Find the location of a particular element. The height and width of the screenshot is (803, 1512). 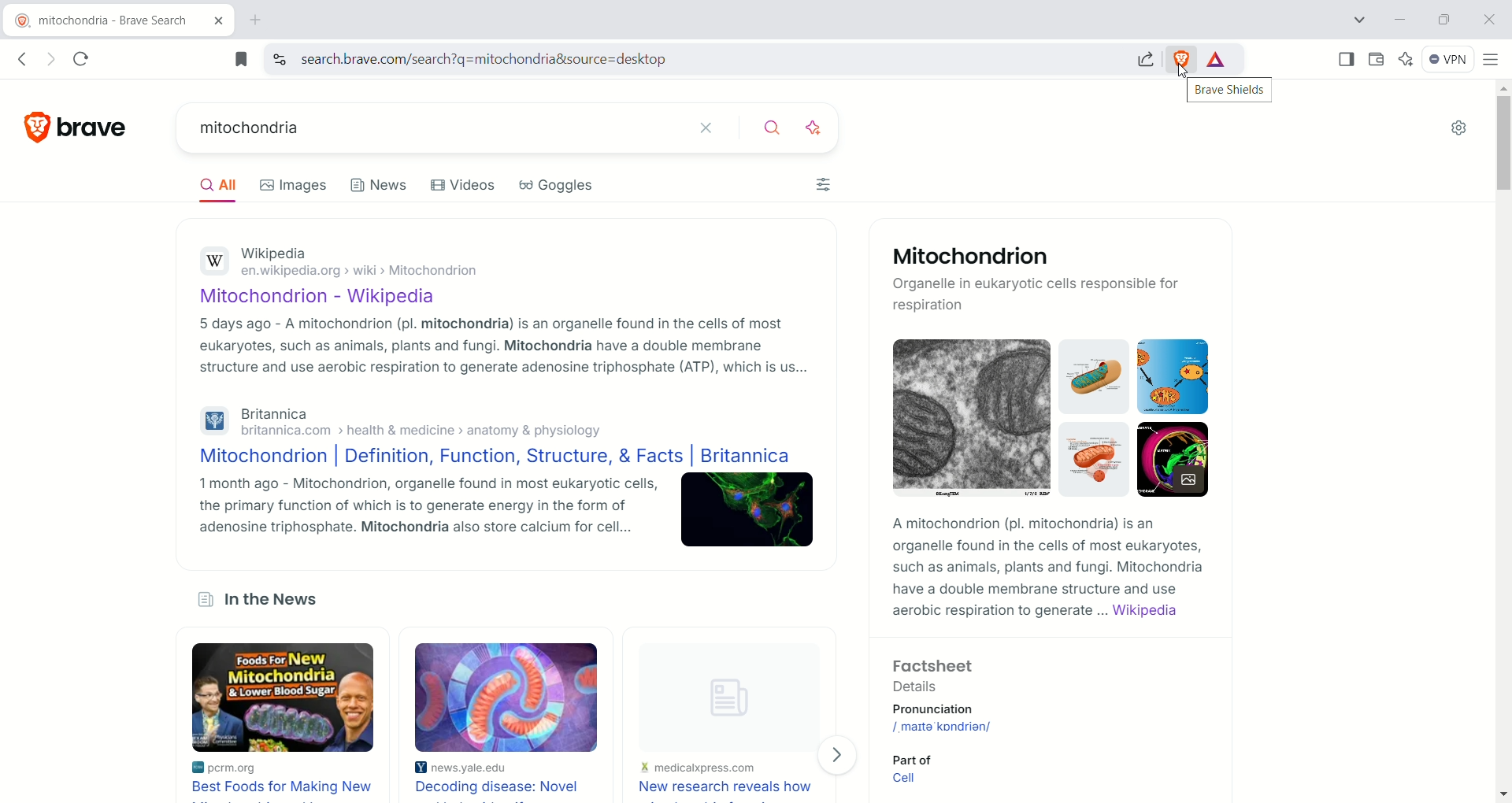

Click to go forward, hold to see histroy is located at coordinates (53, 58).